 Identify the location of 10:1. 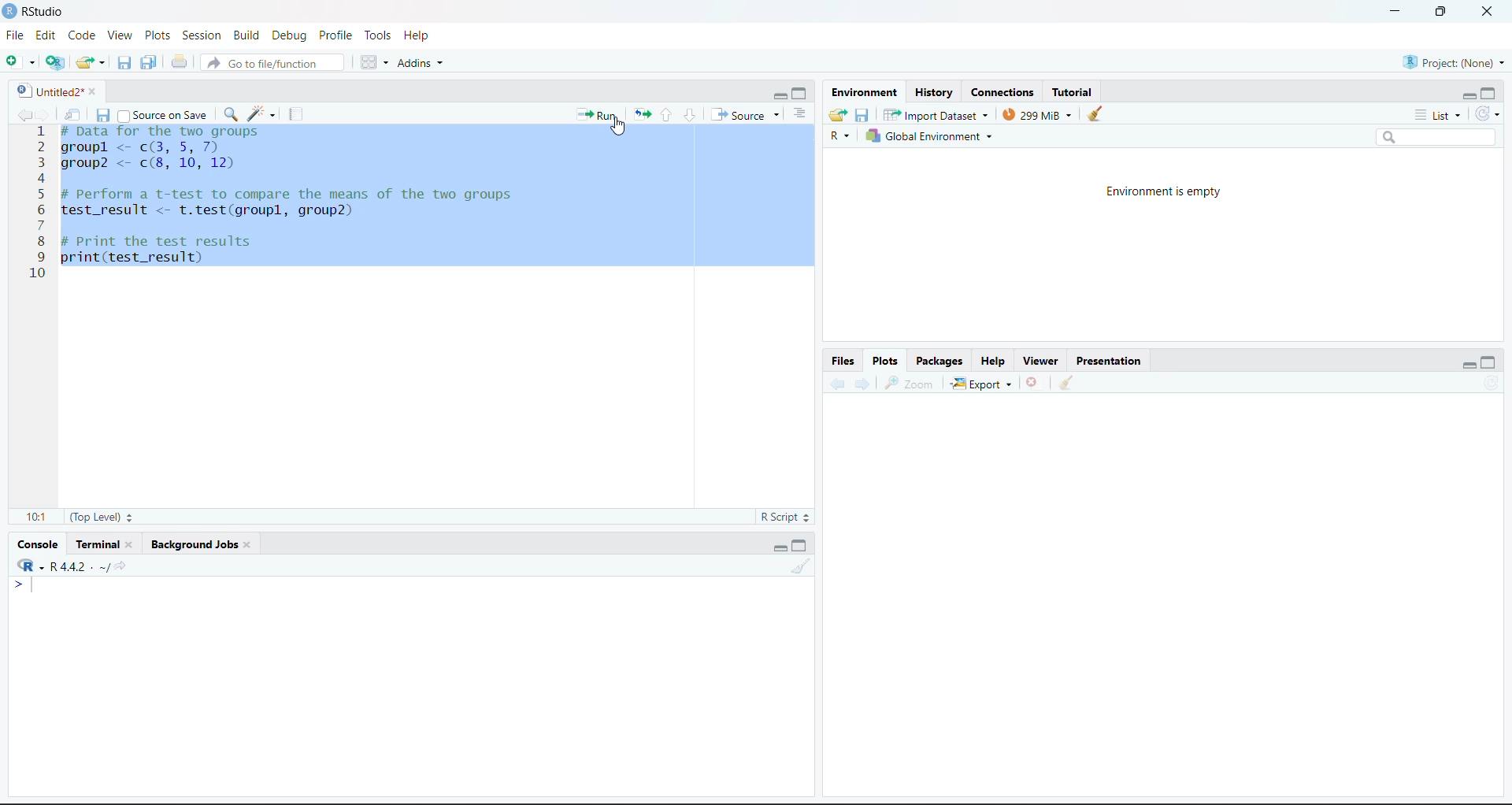
(37, 517).